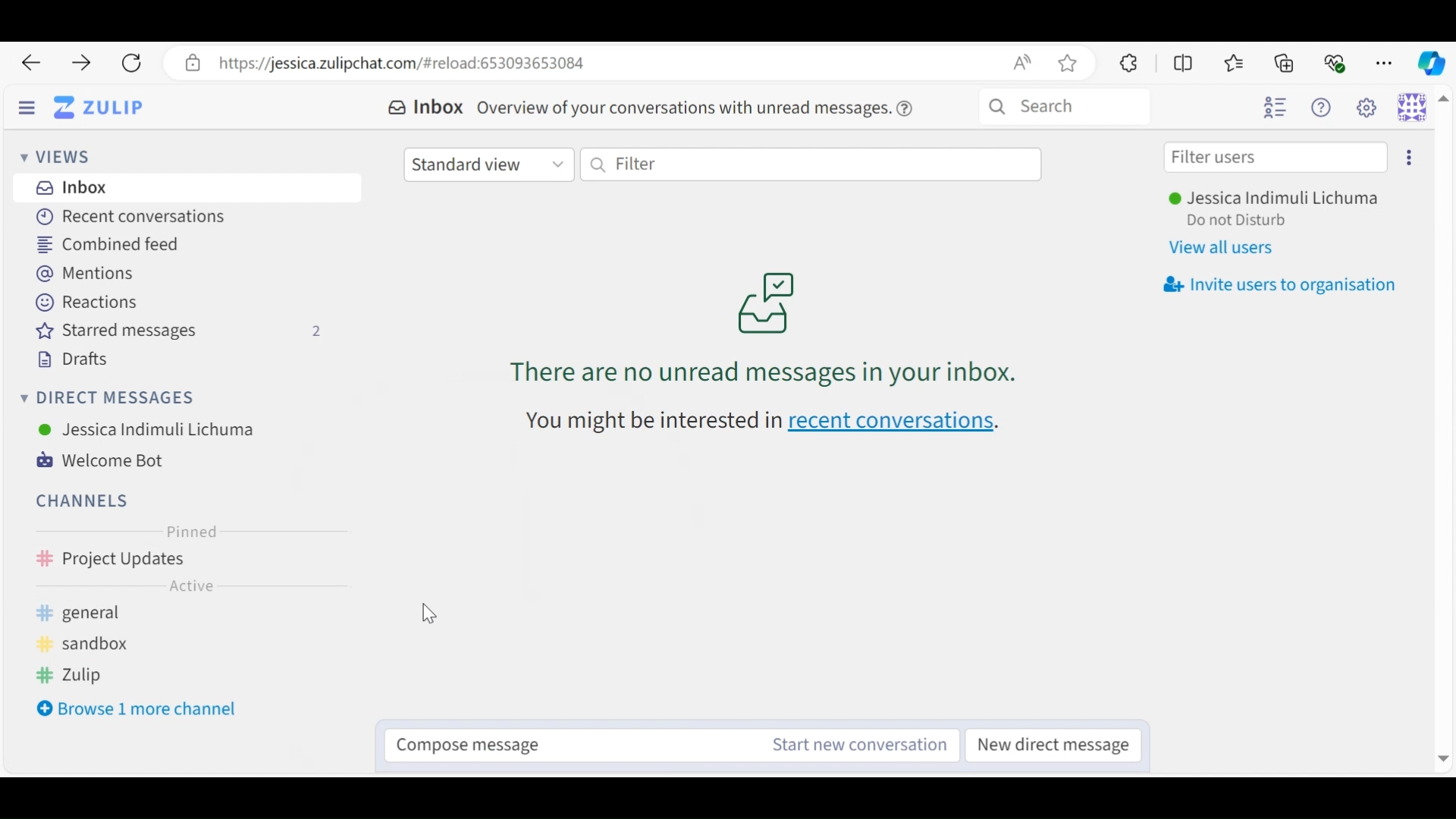 Image resolution: width=1456 pixels, height=819 pixels. Describe the element at coordinates (1444, 101) in the screenshot. I see `Up` at that location.